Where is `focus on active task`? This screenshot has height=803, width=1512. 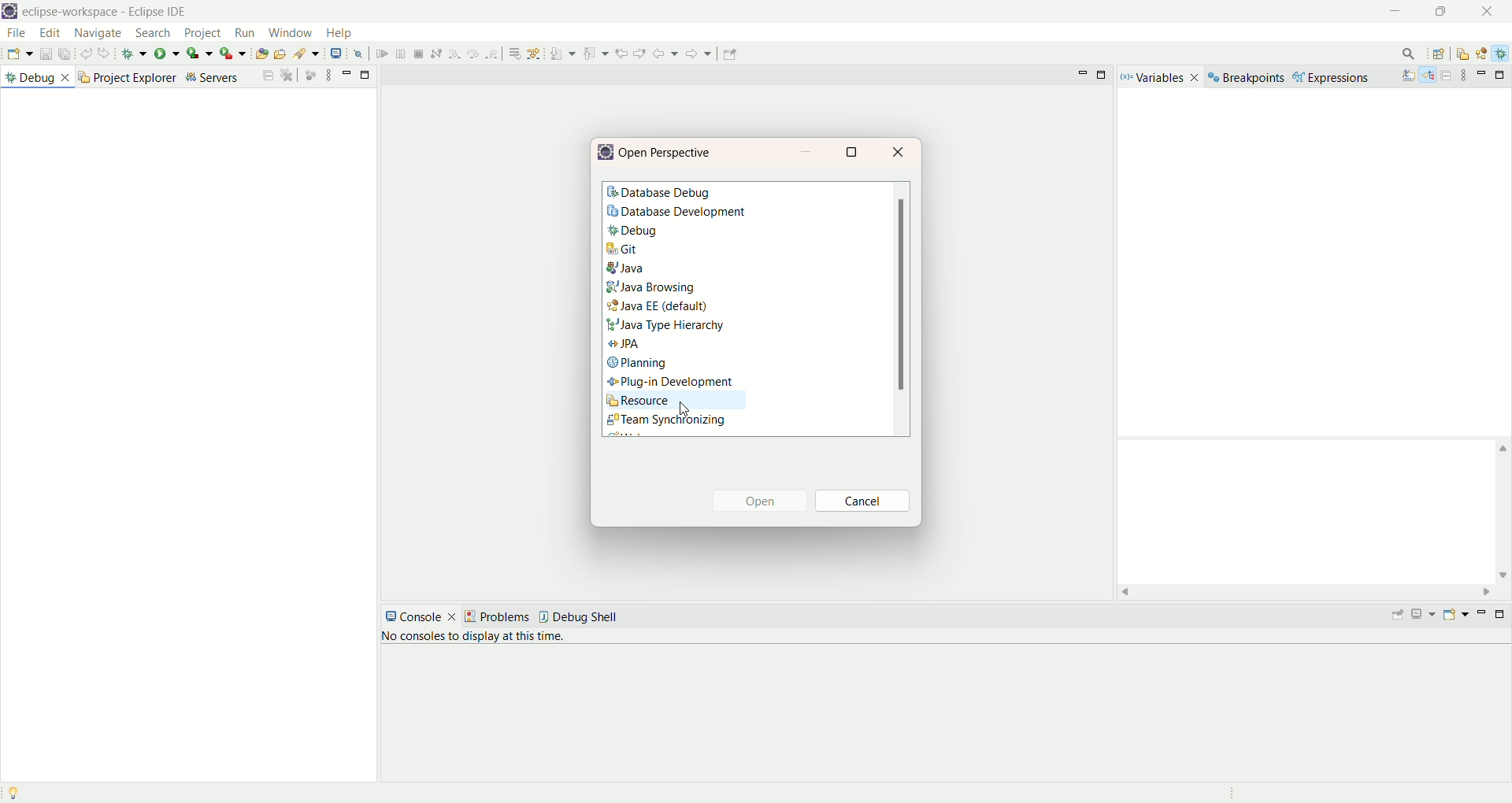 focus on active task is located at coordinates (311, 74).